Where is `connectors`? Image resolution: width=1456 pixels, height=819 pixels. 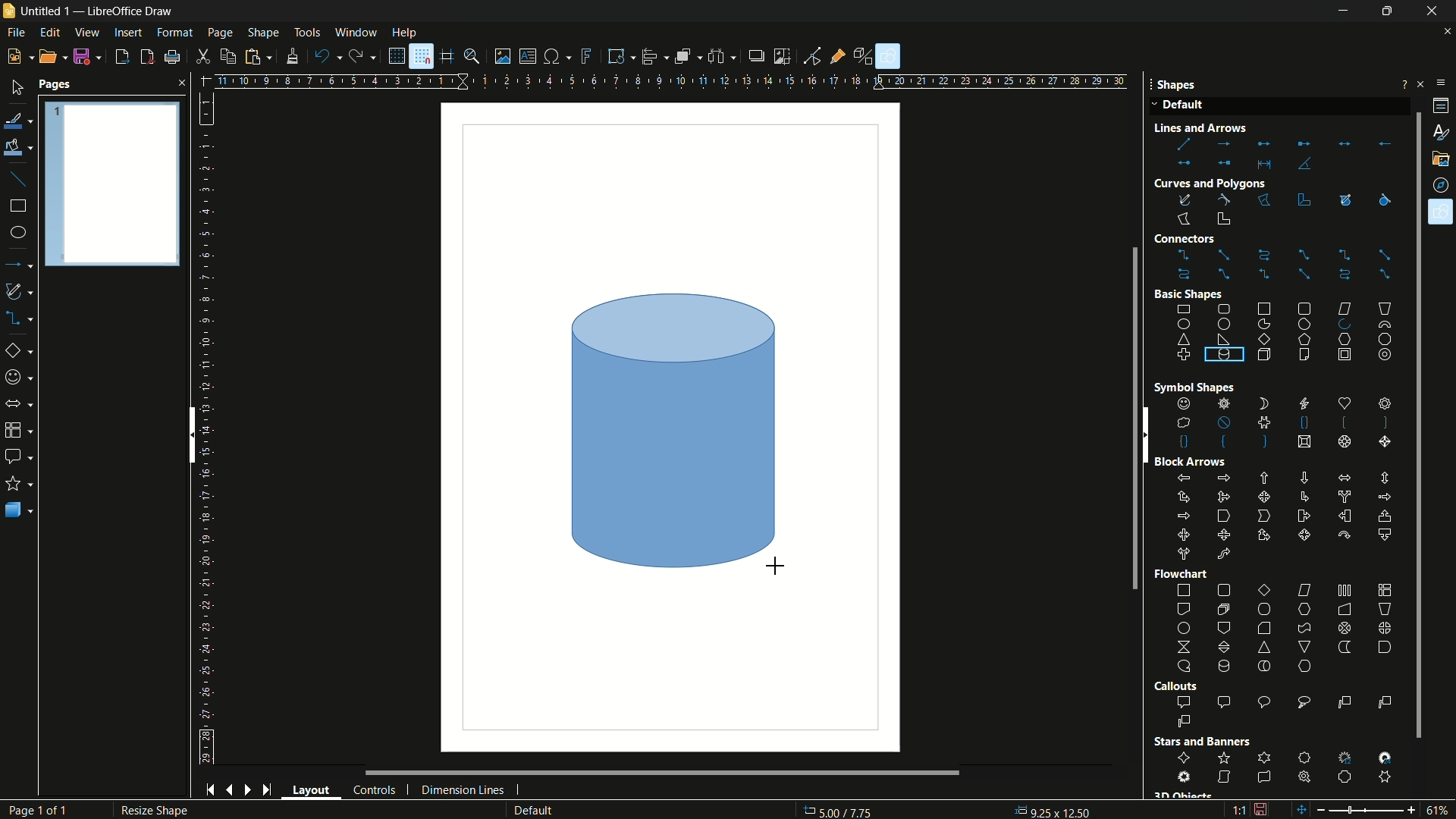
connectors is located at coordinates (1284, 265).